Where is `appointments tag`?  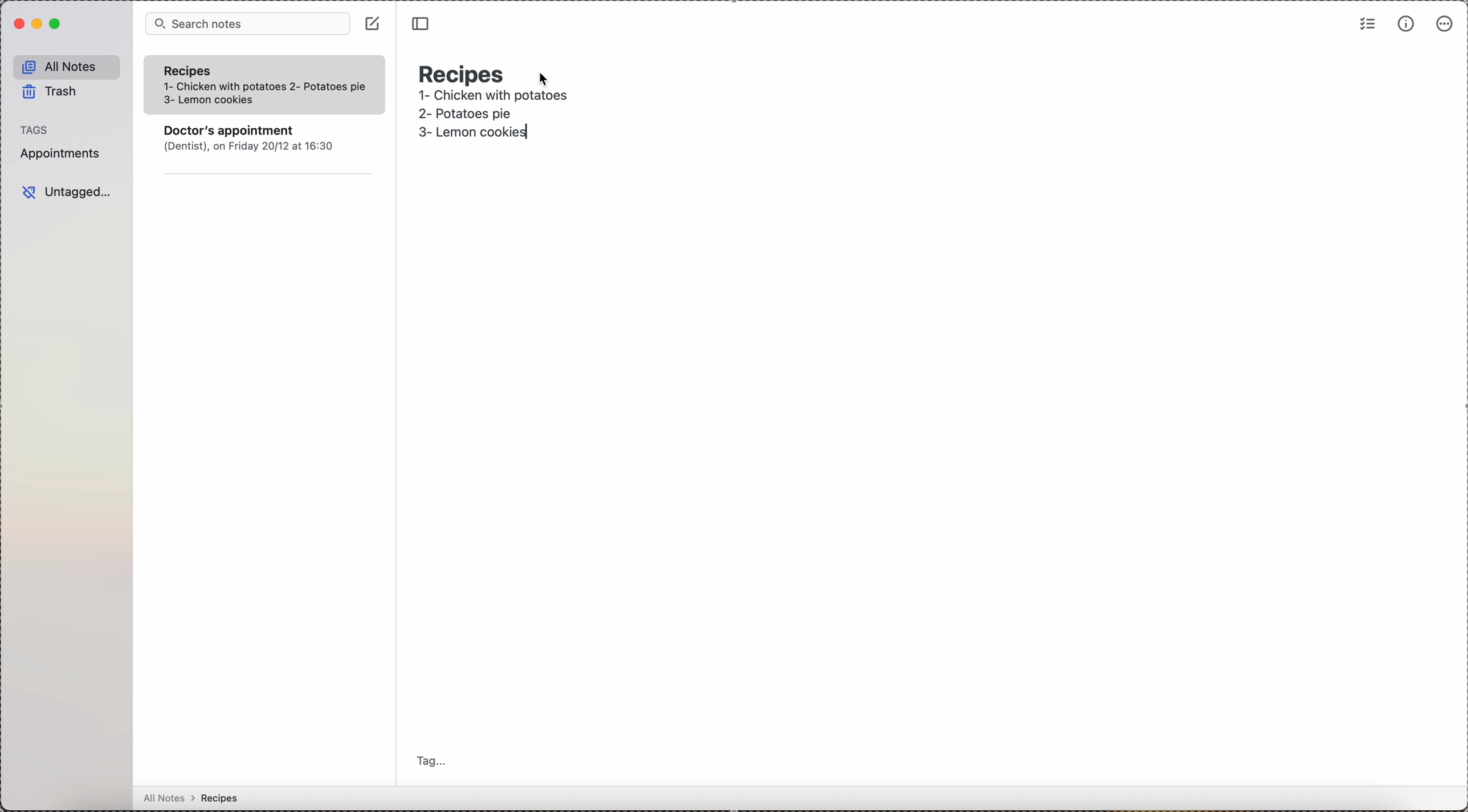 appointments tag is located at coordinates (63, 156).